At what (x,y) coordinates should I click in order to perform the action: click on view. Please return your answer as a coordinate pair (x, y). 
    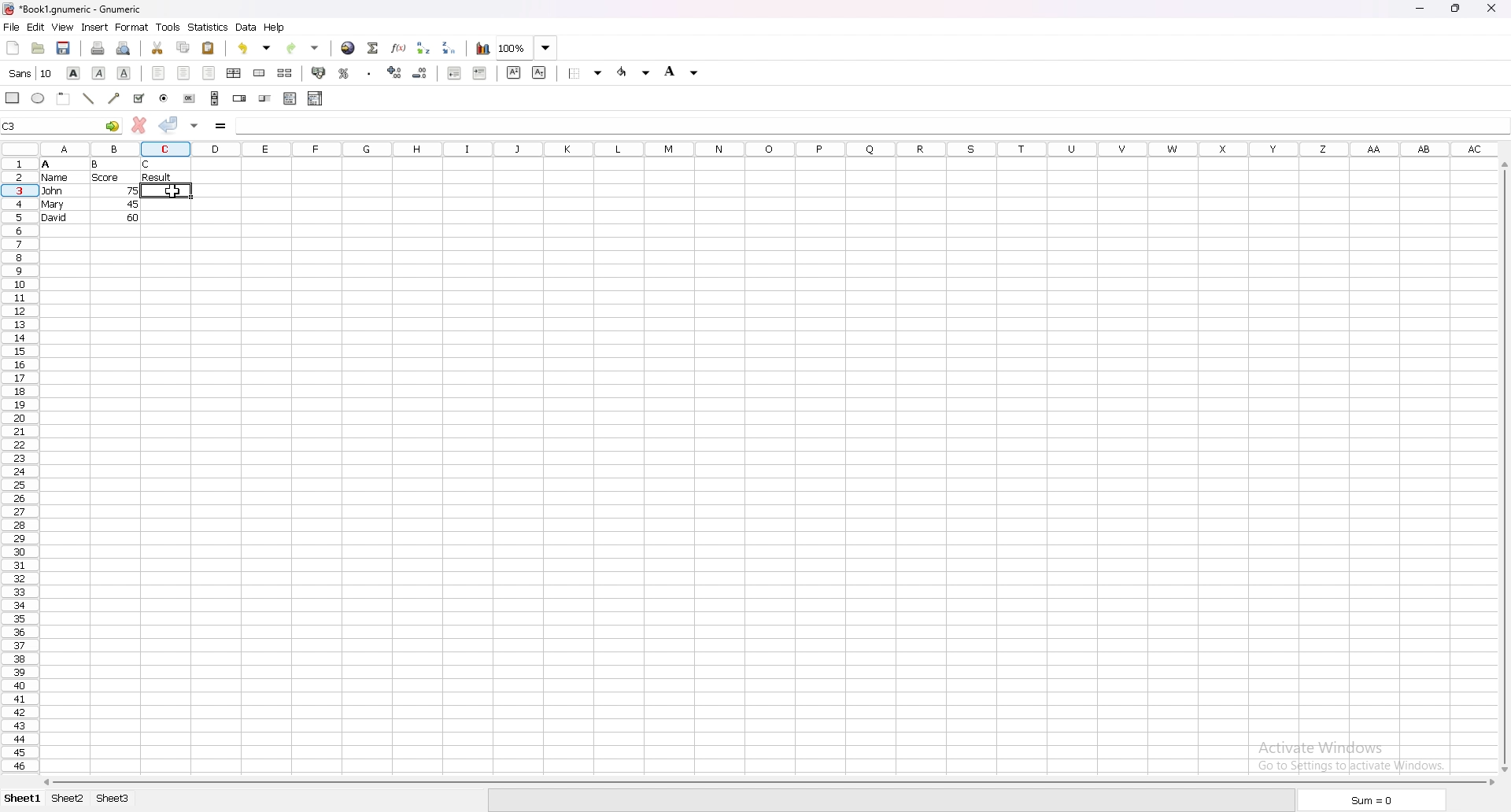
    Looking at the image, I should click on (61, 27).